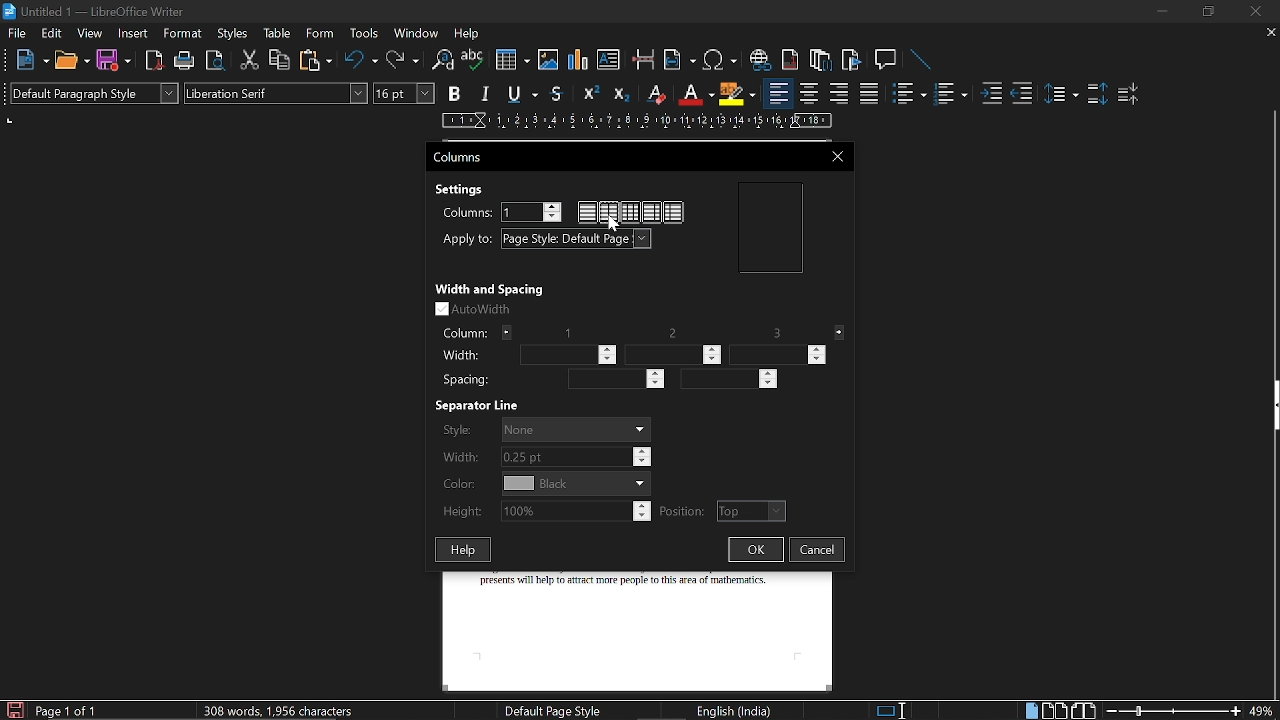 This screenshot has height=720, width=1280. I want to click on empty preview field, so click(770, 226).